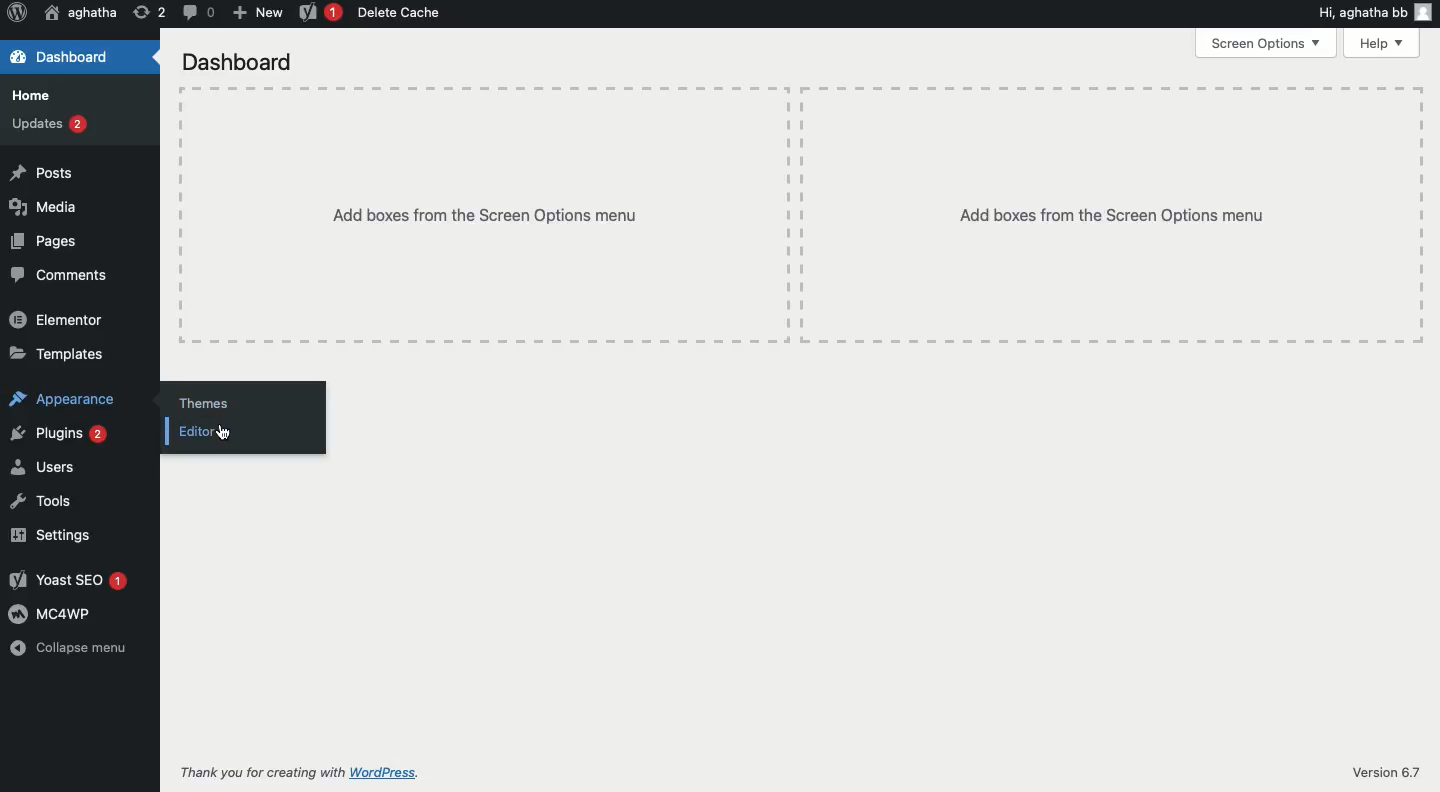 This screenshot has height=792, width=1440. What do you see at coordinates (483, 214) in the screenshot?
I see `Add boxes from the screen options menu` at bounding box center [483, 214].